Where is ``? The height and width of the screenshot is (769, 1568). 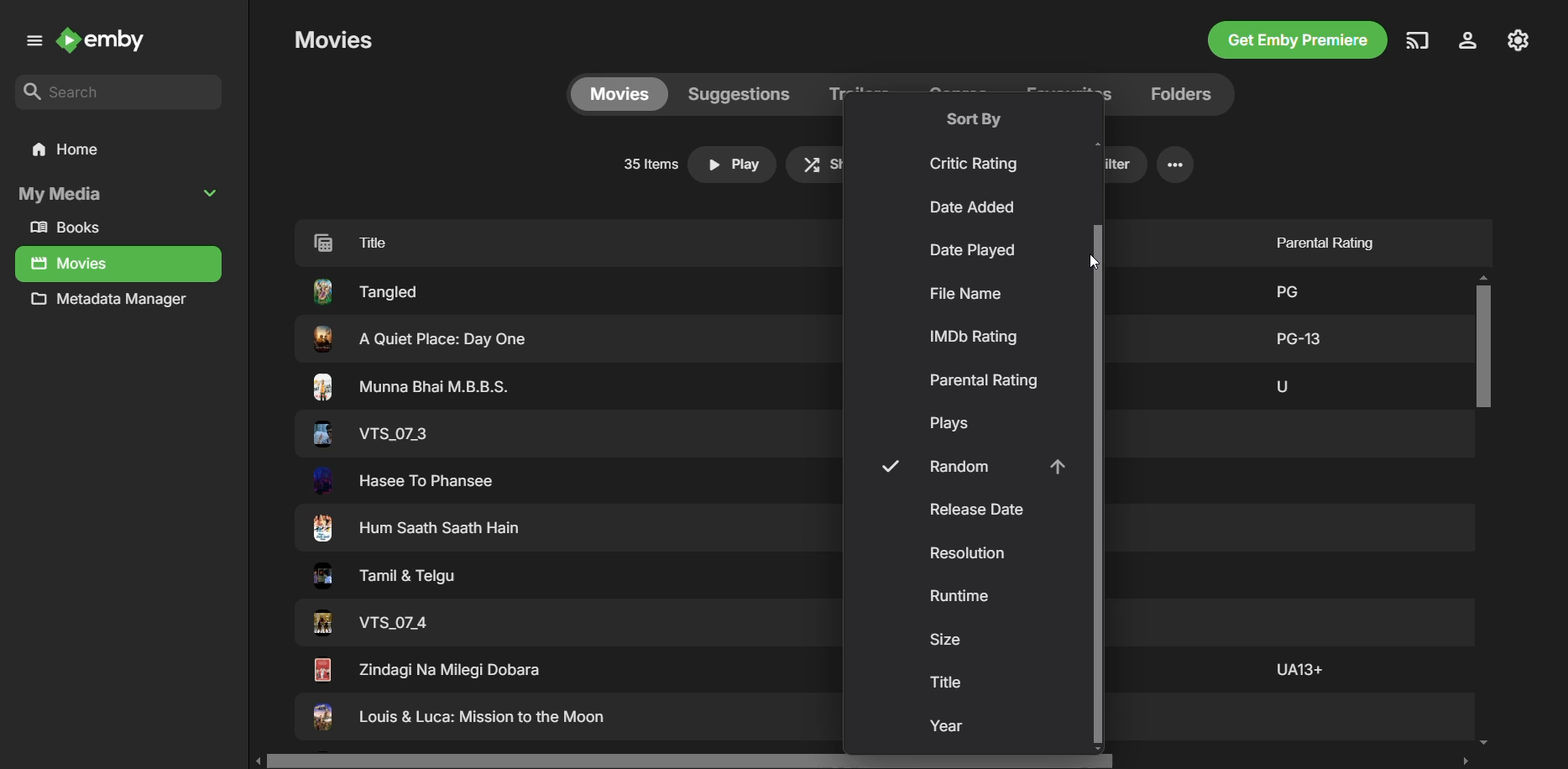  is located at coordinates (412, 387).